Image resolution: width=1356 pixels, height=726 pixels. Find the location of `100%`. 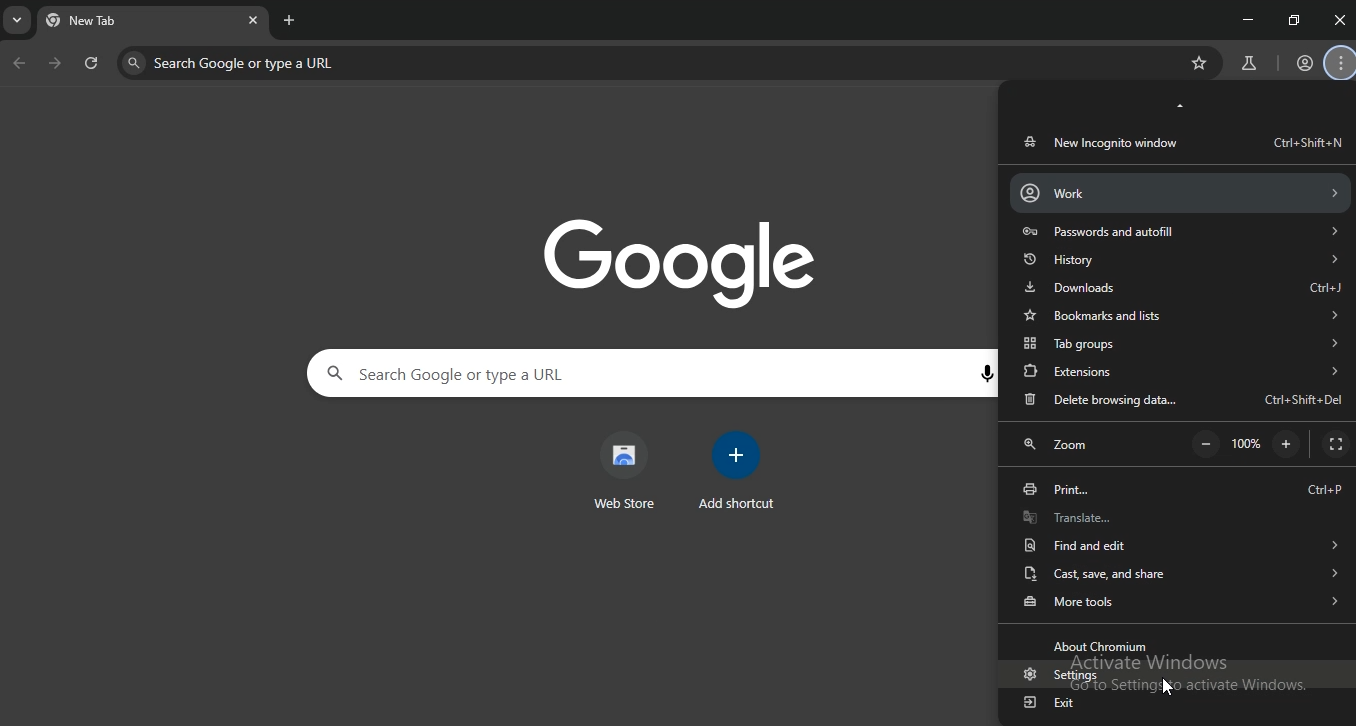

100% is located at coordinates (1250, 445).